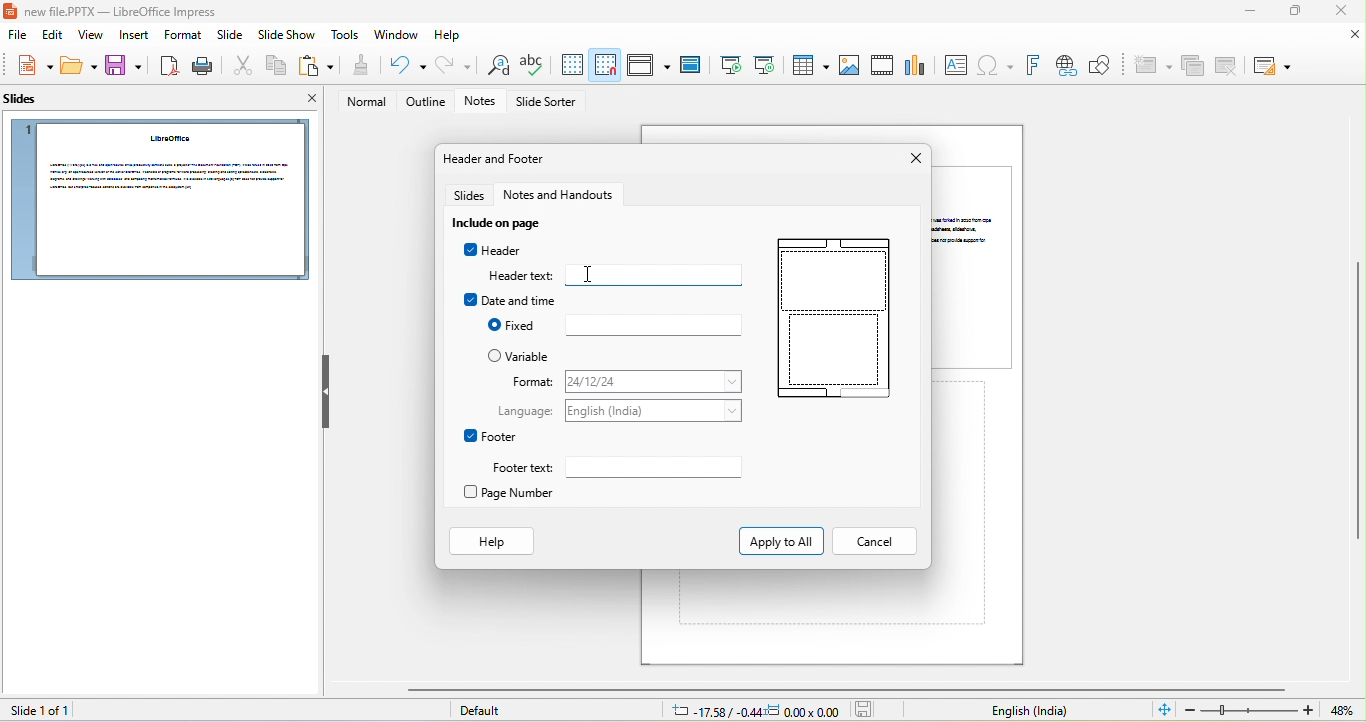 Image resolution: width=1366 pixels, height=722 pixels. I want to click on maximize, so click(1293, 12).